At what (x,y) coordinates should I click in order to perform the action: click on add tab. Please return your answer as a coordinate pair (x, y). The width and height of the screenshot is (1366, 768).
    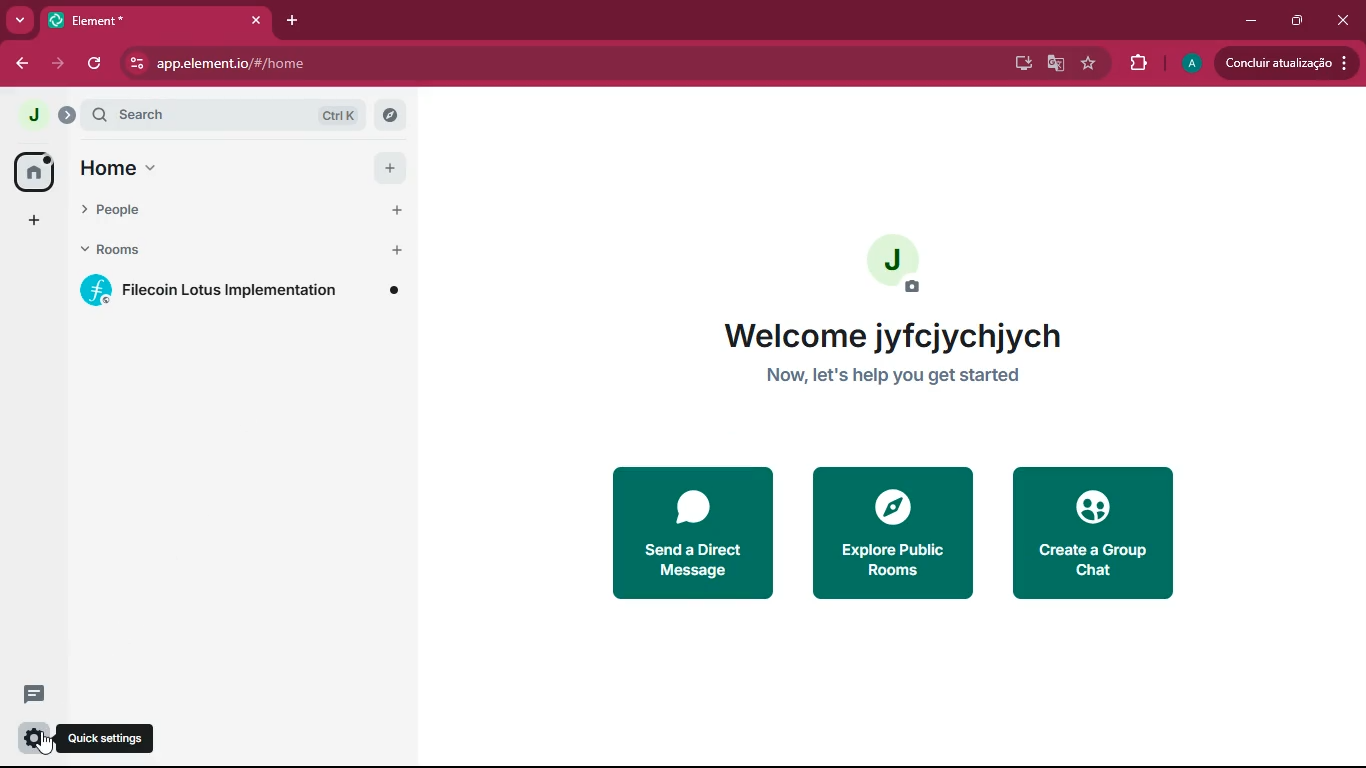
    Looking at the image, I should click on (290, 22).